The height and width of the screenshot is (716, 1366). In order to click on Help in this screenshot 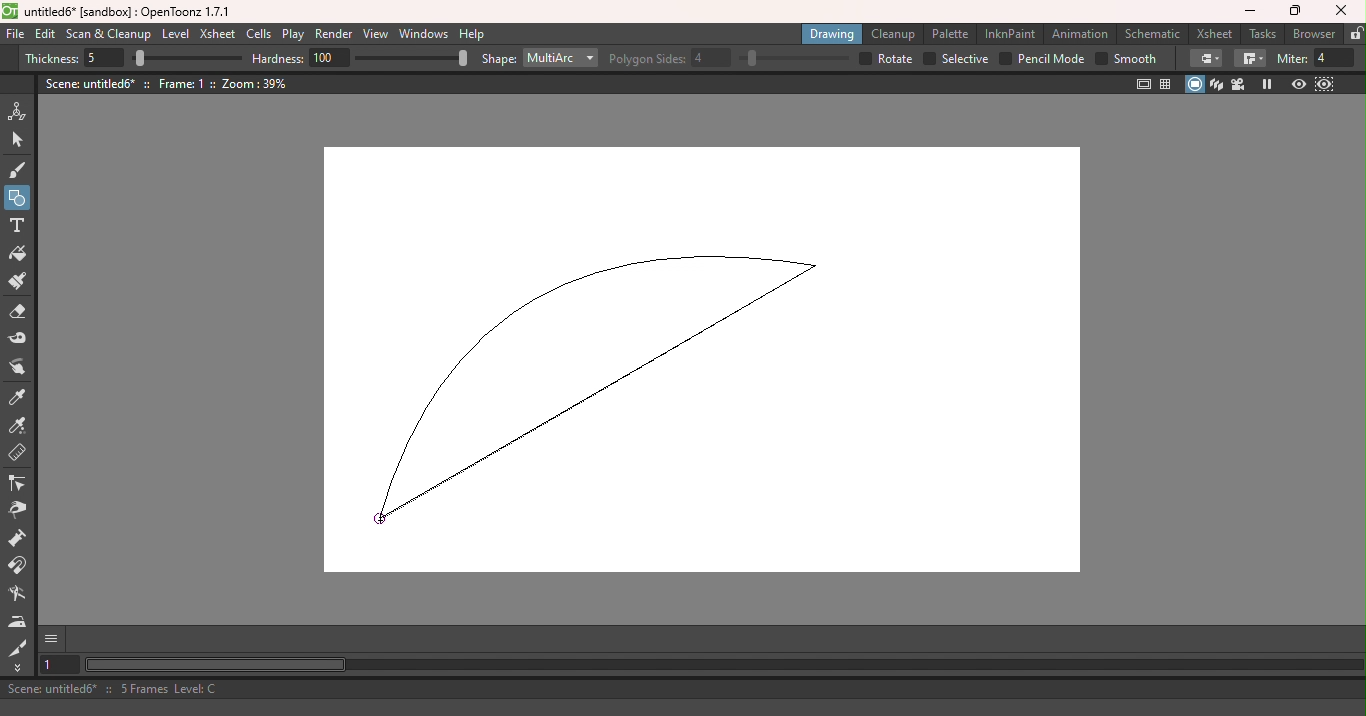, I will do `click(473, 34)`.